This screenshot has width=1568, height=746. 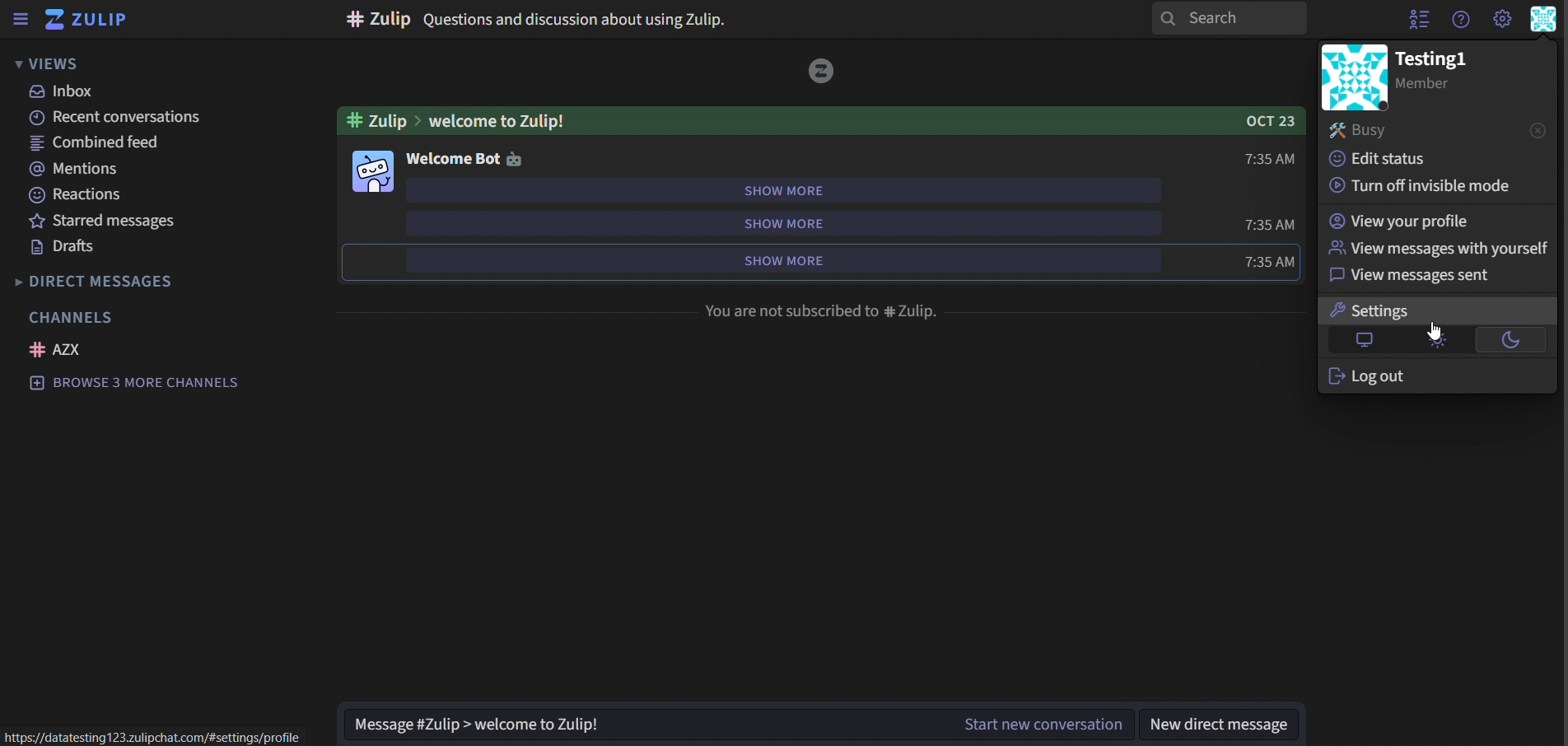 I want to click on 7:35AM, so click(x=1263, y=260).